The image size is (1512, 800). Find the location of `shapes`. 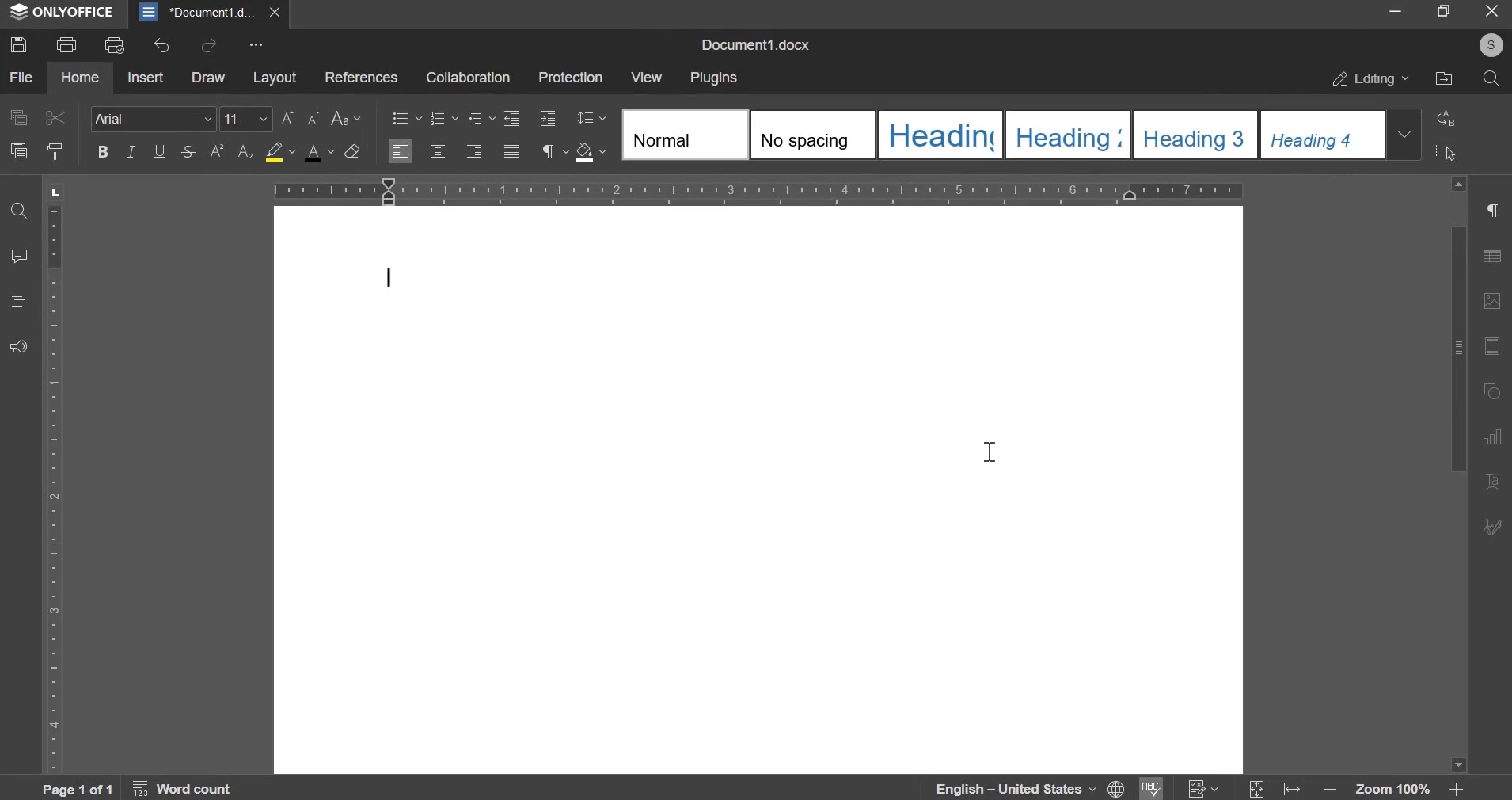

shapes is located at coordinates (1492, 390).